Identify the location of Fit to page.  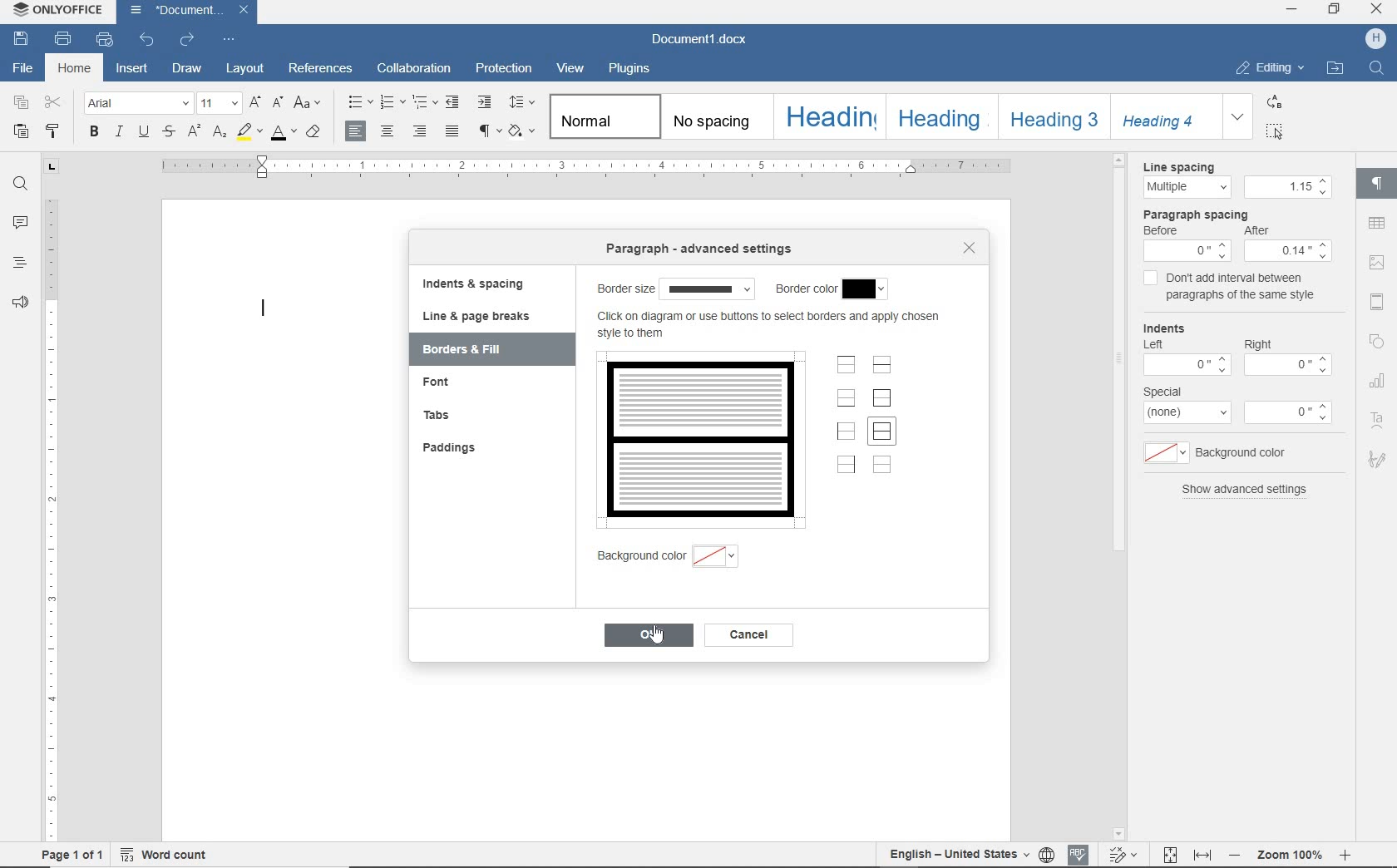
(1170, 855).